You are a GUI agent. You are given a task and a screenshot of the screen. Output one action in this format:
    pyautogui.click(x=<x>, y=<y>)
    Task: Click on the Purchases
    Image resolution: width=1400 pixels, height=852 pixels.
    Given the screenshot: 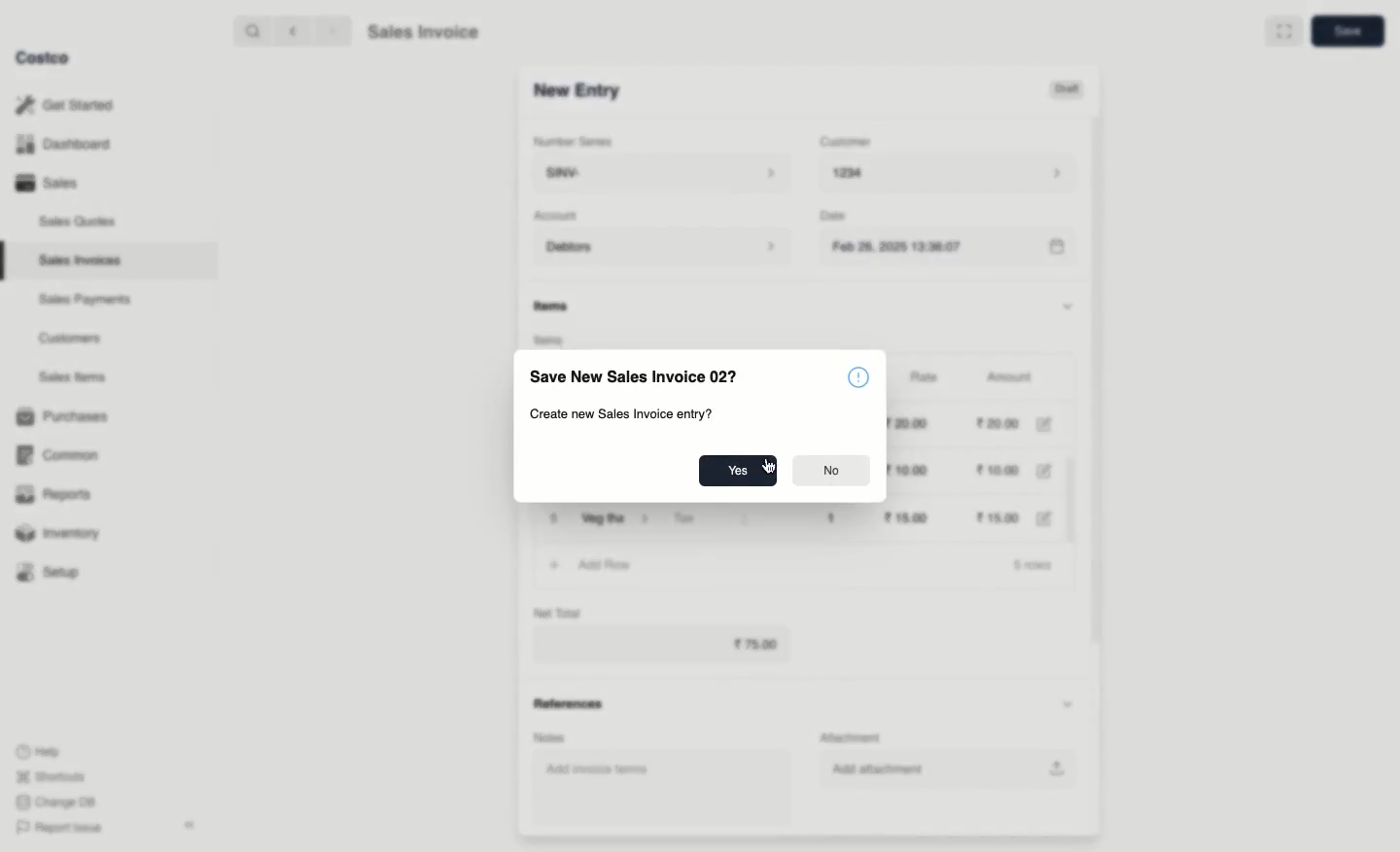 What is the action you would take?
    pyautogui.click(x=67, y=416)
    